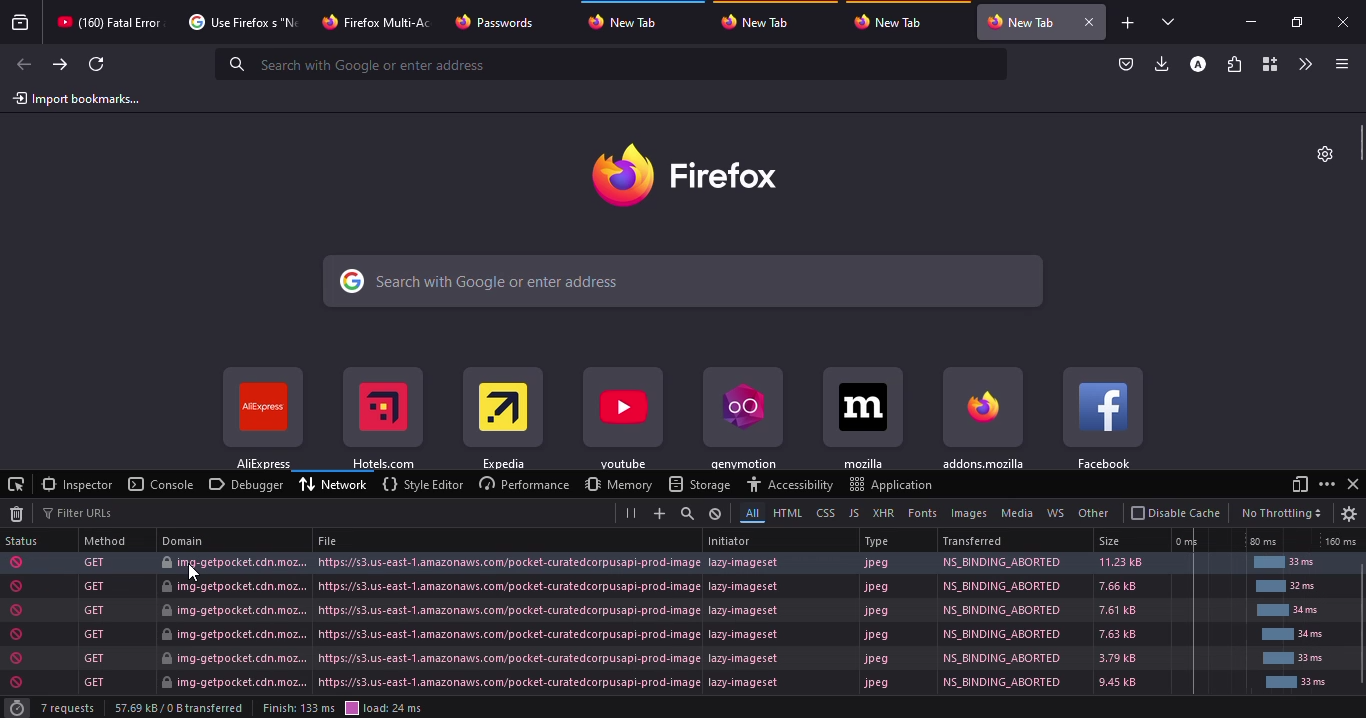 The width and height of the screenshot is (1366, 718). I want to click on open menu, so click(1339, 63).